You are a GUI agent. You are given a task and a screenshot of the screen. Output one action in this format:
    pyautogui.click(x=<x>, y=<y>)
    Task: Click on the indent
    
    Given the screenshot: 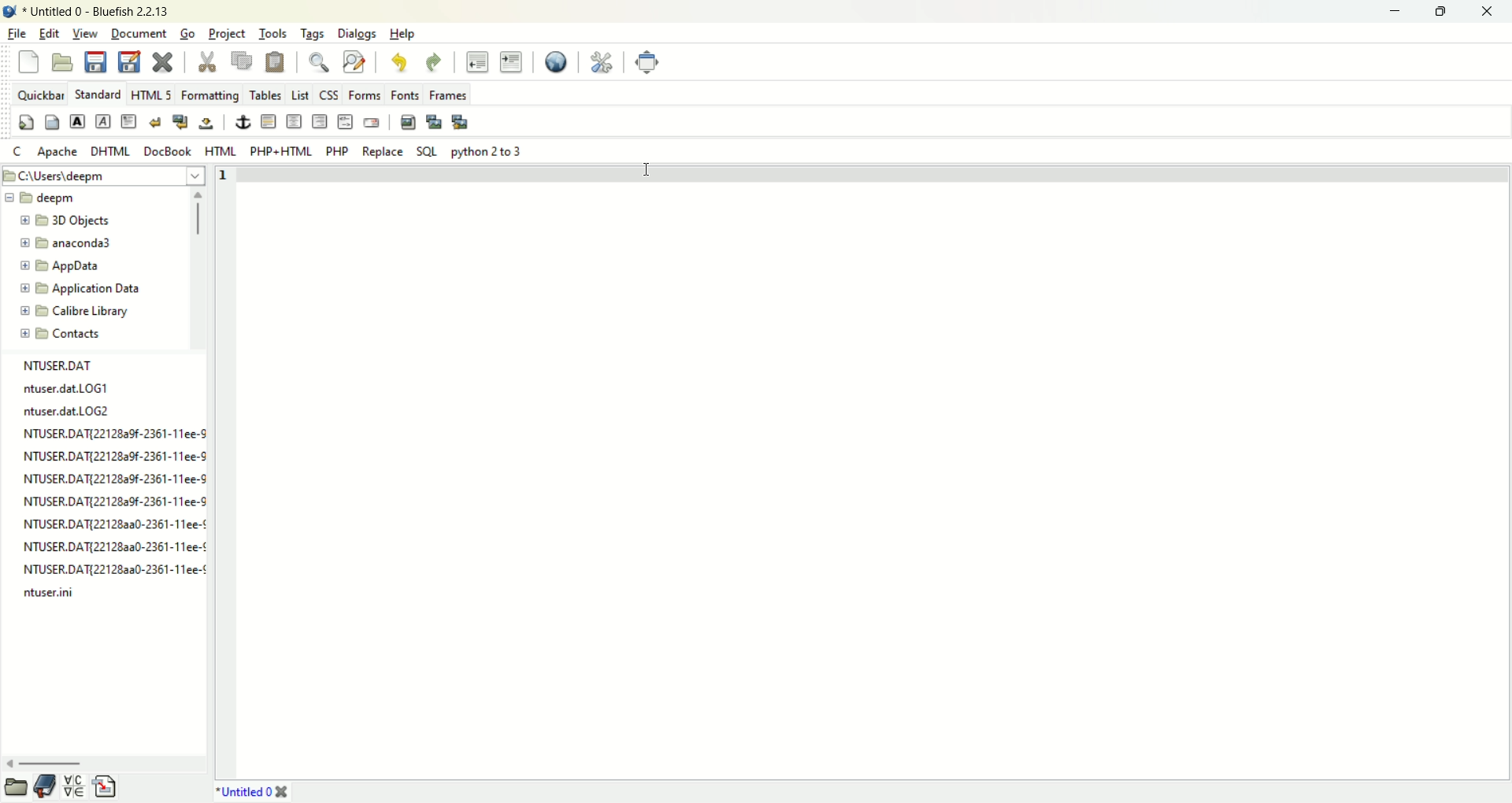 What is the action you would take?
    pyautogui.click(x=512, y=62)
    